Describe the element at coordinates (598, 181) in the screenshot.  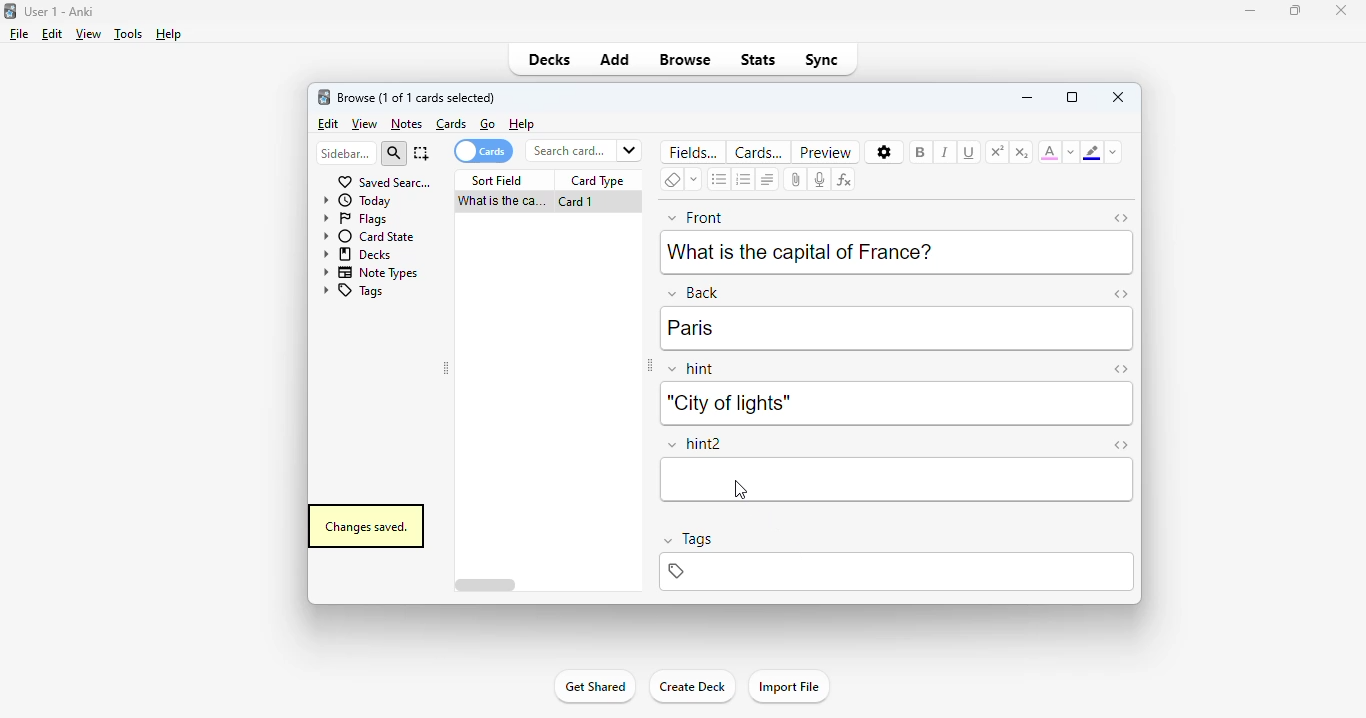
I see `card type` at that location.